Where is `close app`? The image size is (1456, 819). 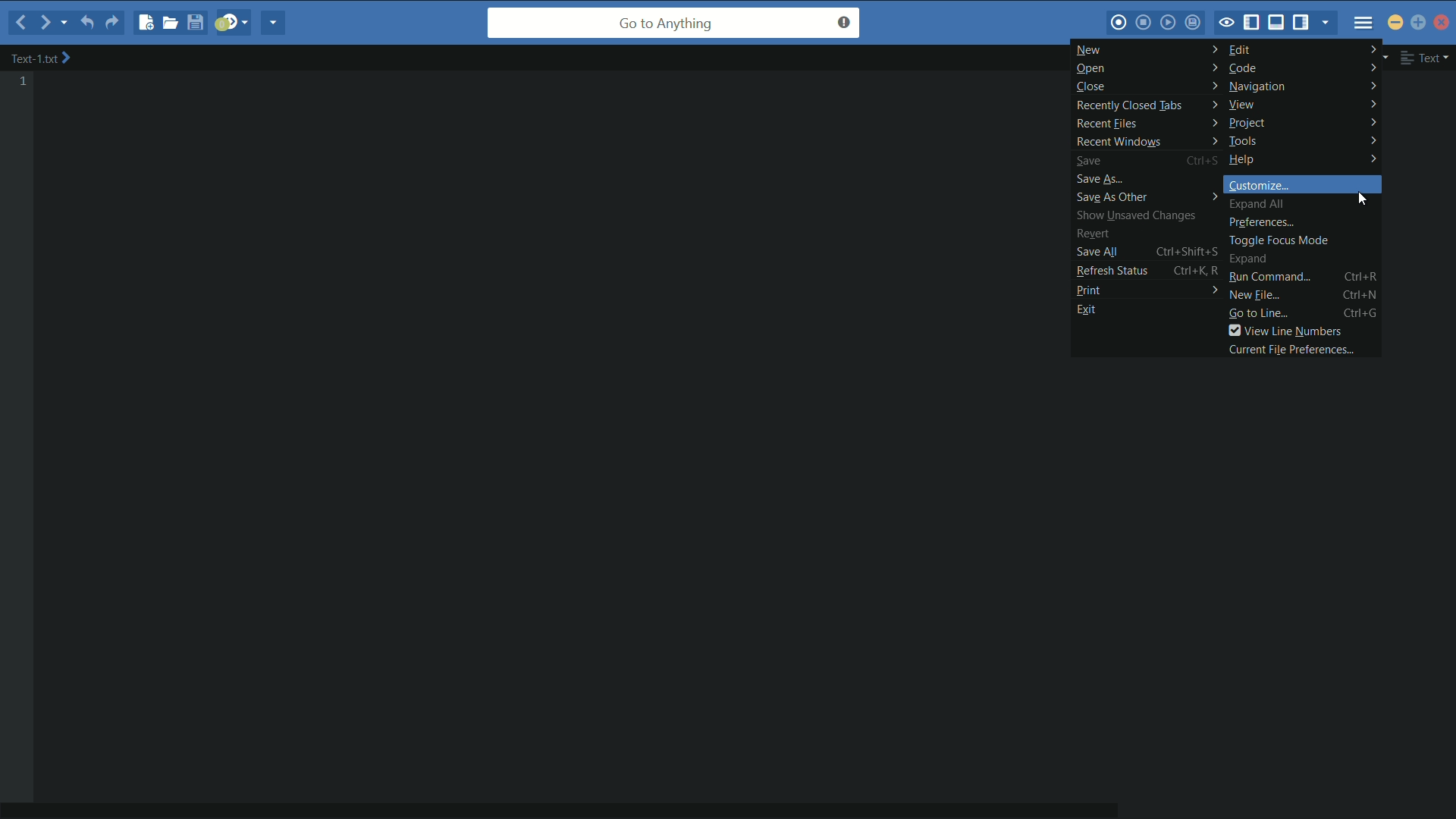
close app is located at coordinates (1441, 23).